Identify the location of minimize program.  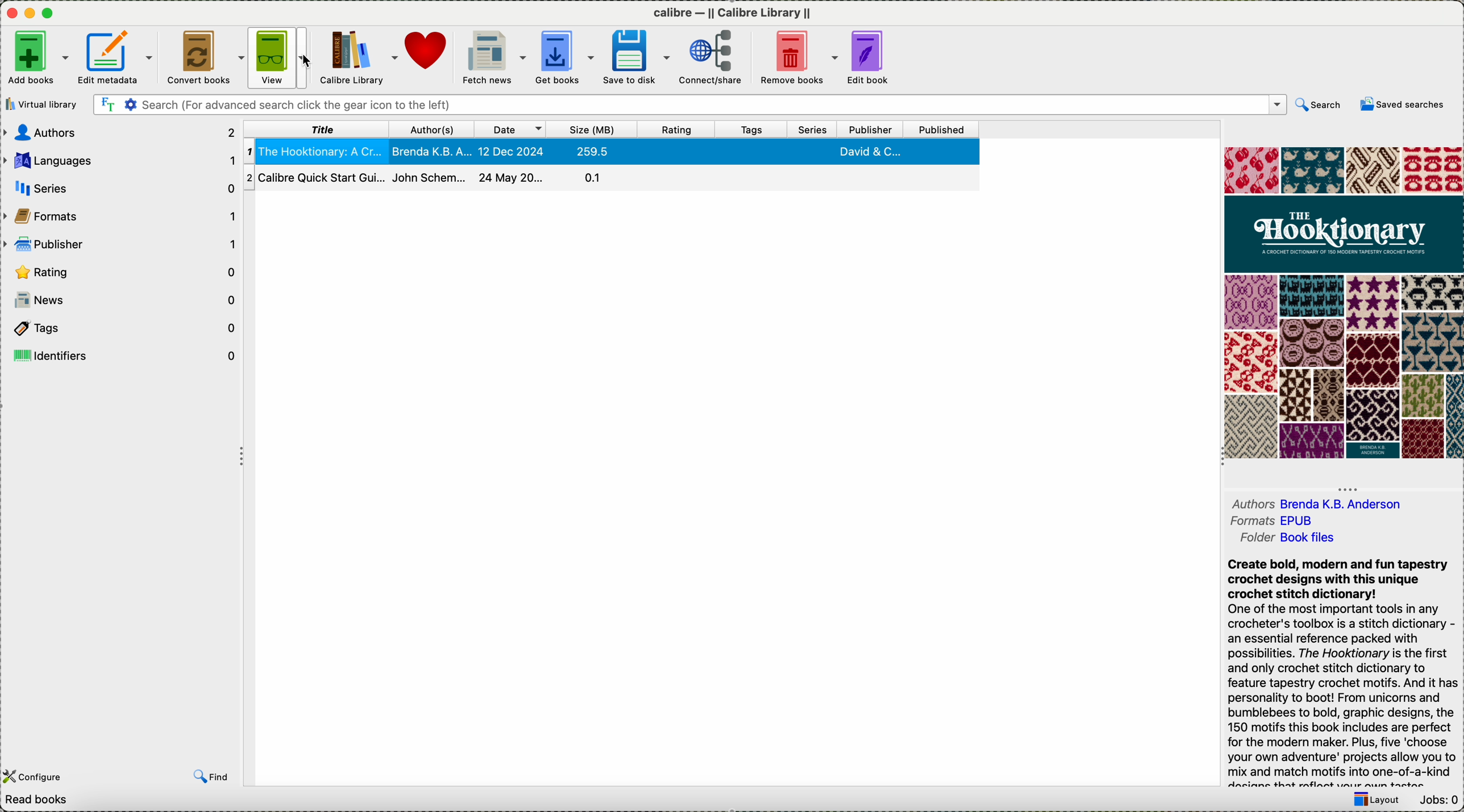
(32, 14).